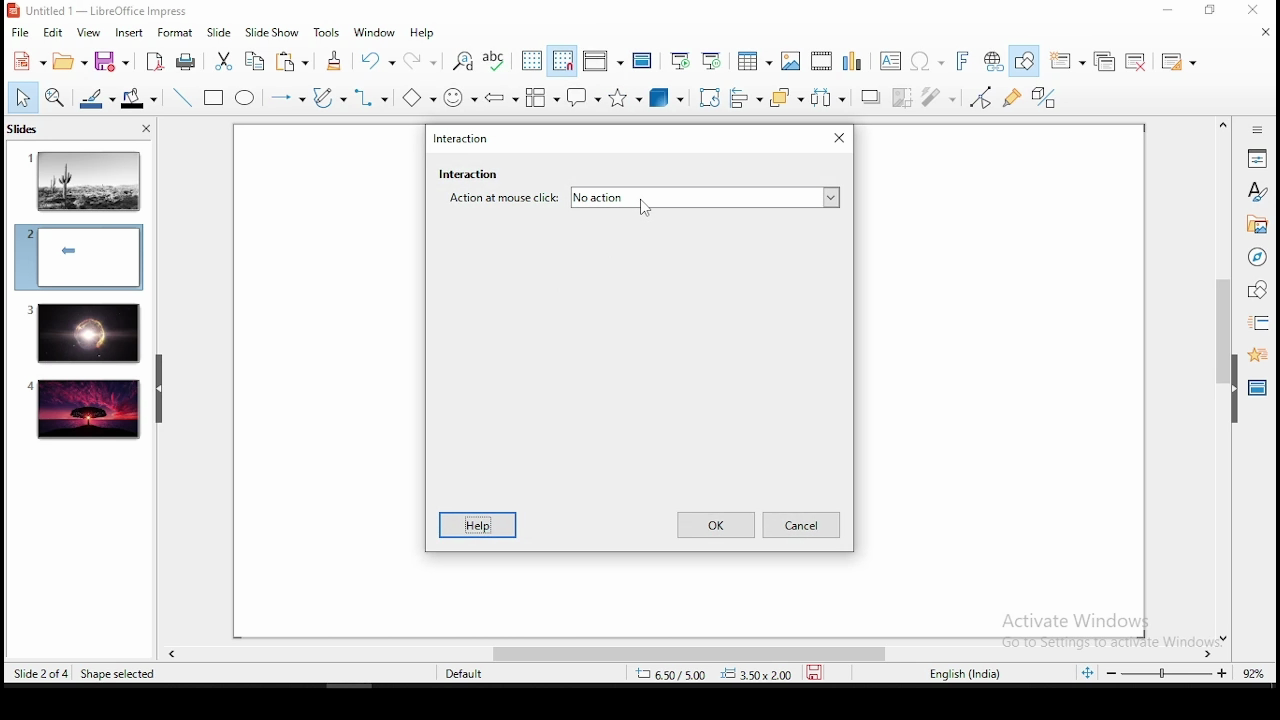 The image size is (1280, 720). I want to click on export as pdf, so click(155, 60).